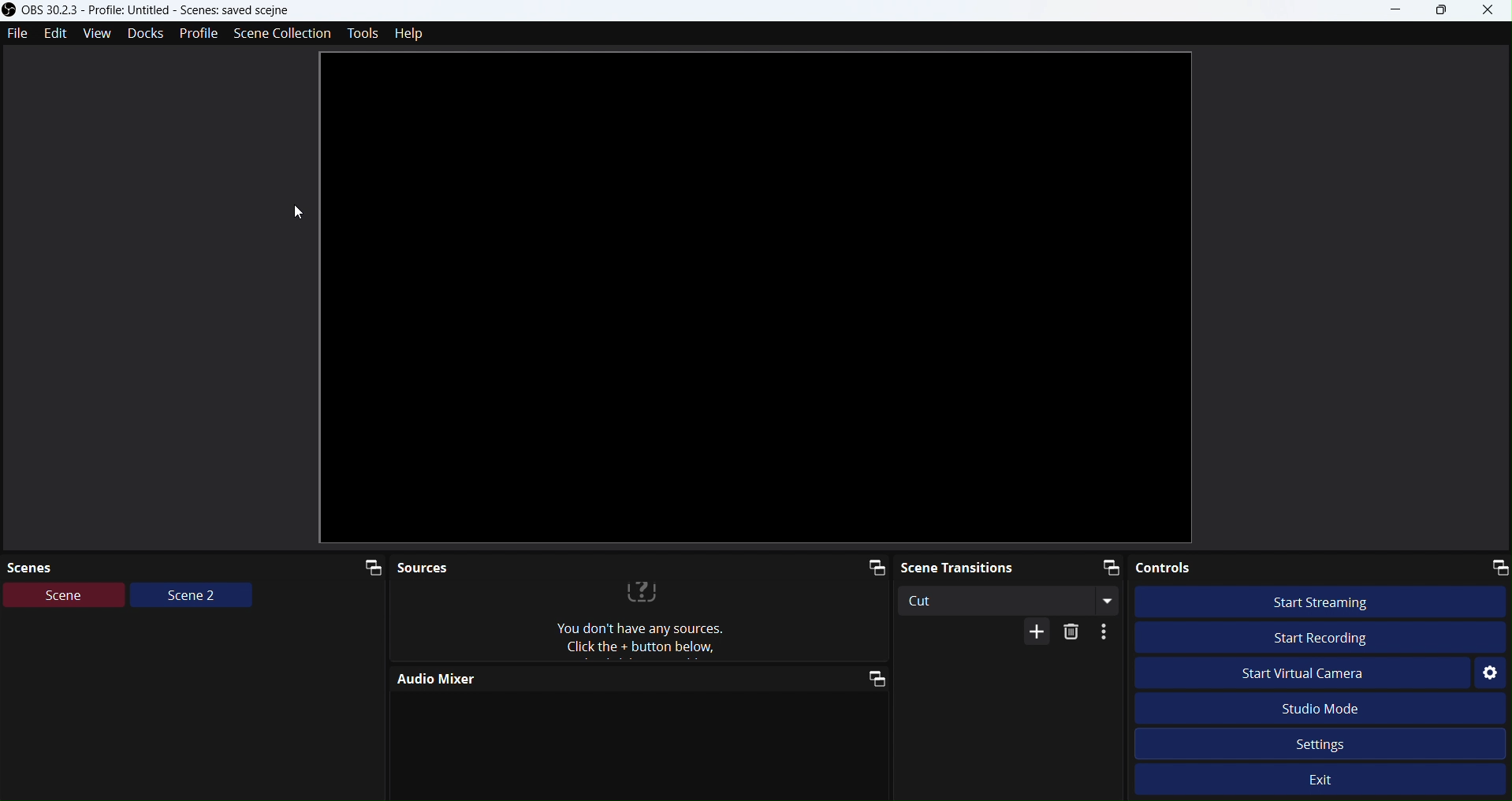  Describe the element at coordinates (1324, 744) in the screenshot. I see `Settings` at that location.